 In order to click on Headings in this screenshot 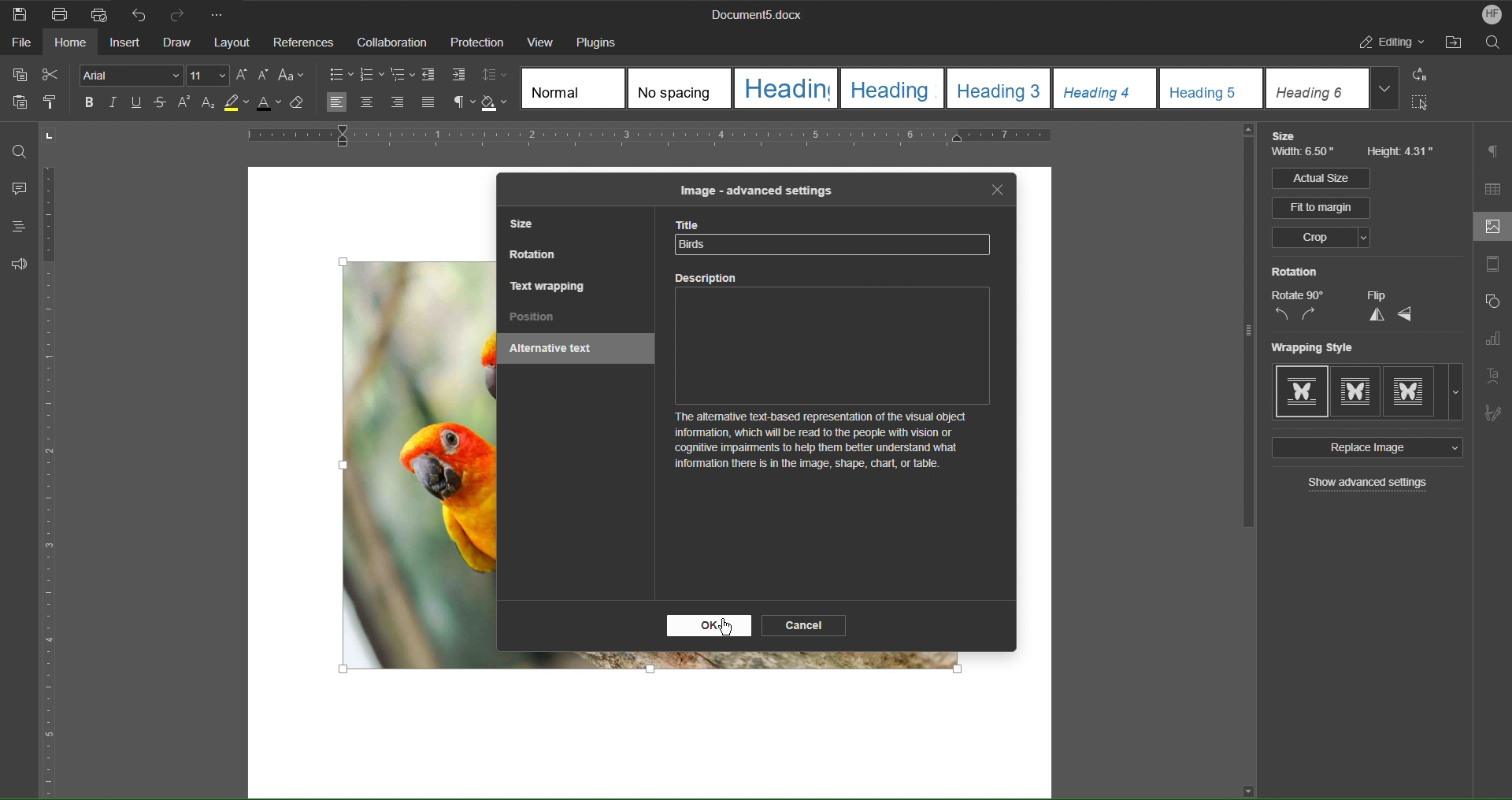, I will do `click(13, 227)`.